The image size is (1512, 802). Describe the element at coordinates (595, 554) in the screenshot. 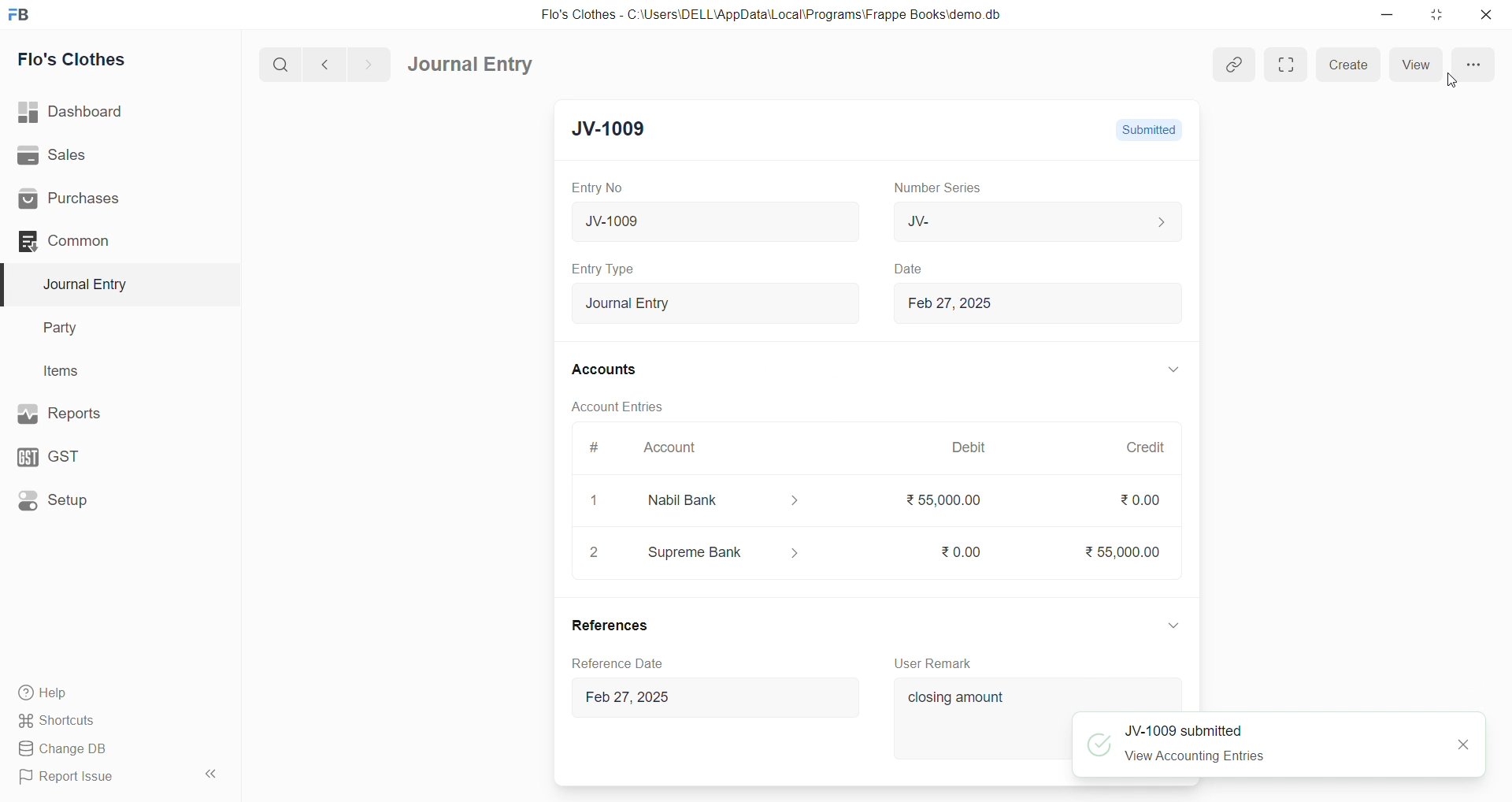

I see `2` at that location.